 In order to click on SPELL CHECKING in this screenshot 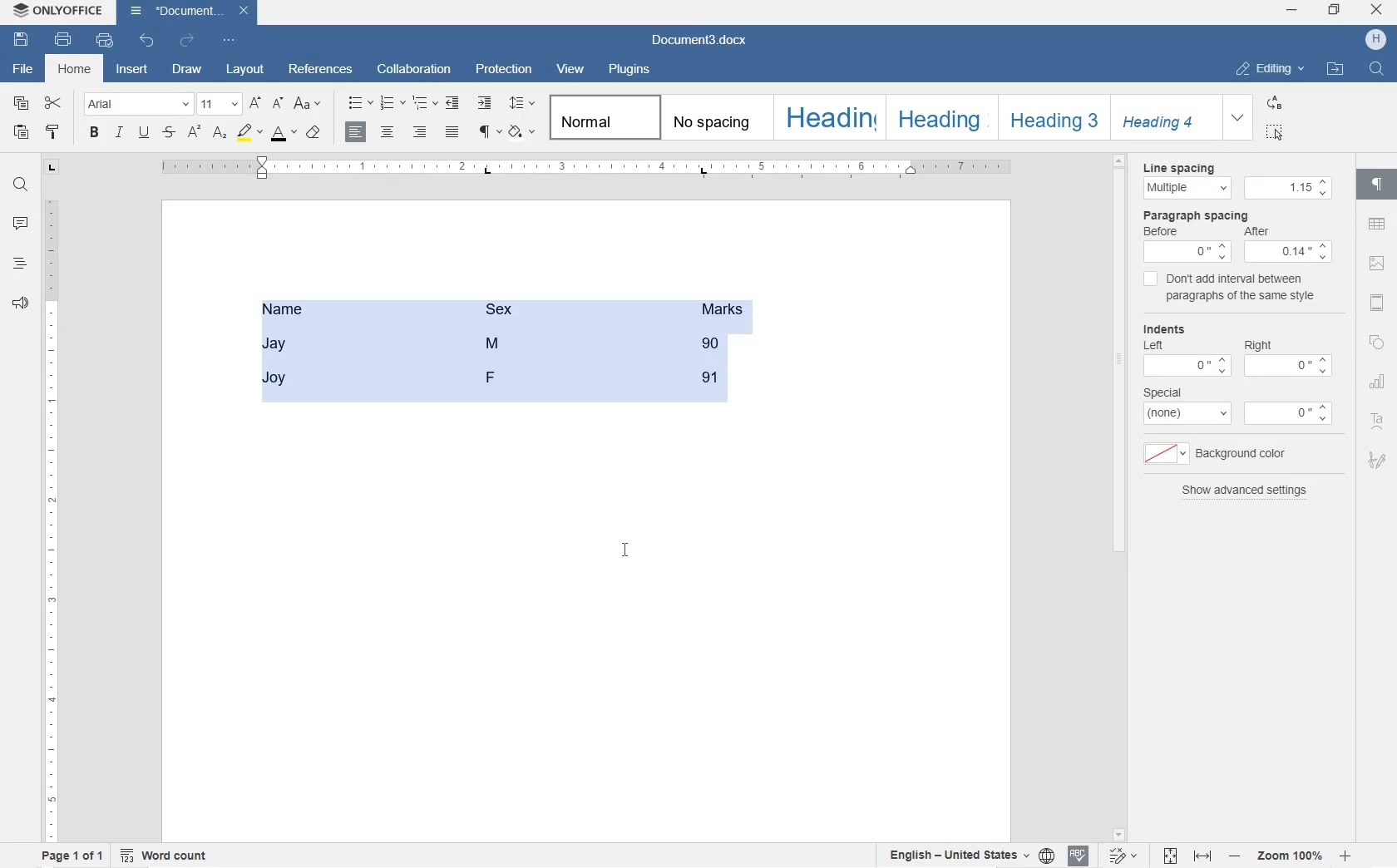, I will do `click(1078, 856)`.